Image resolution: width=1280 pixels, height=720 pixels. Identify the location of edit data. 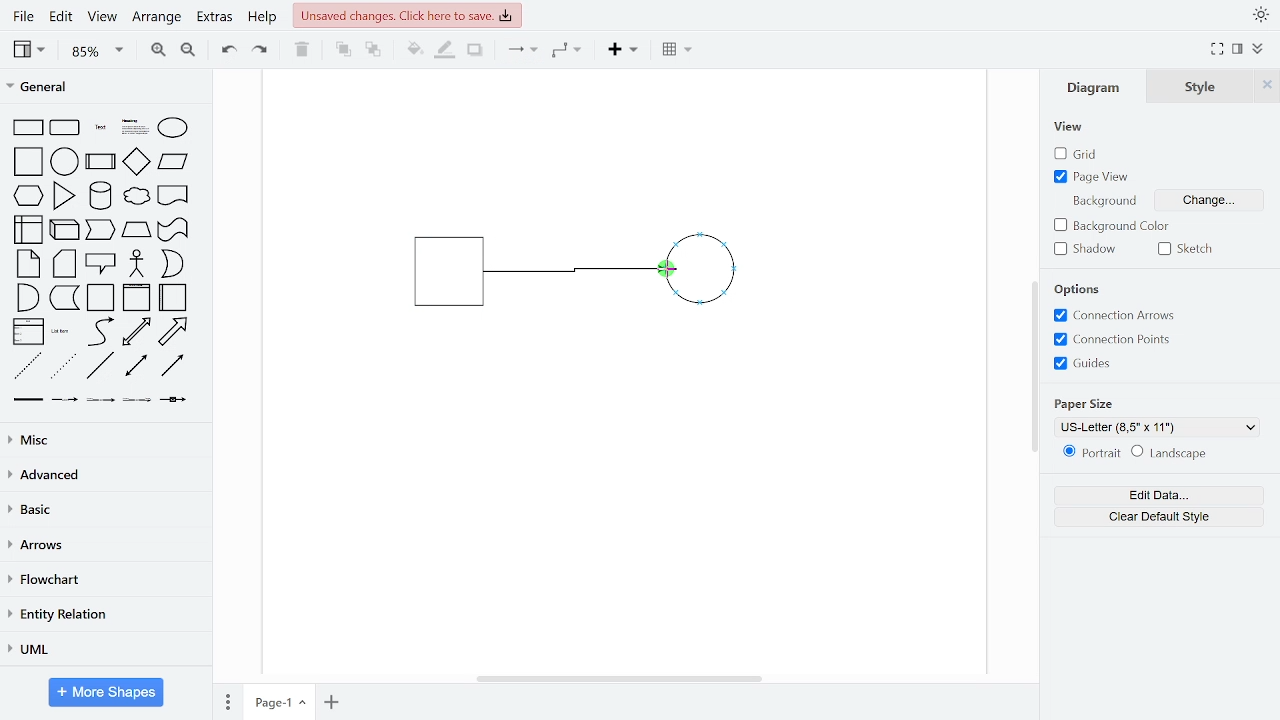
(1158, 496).